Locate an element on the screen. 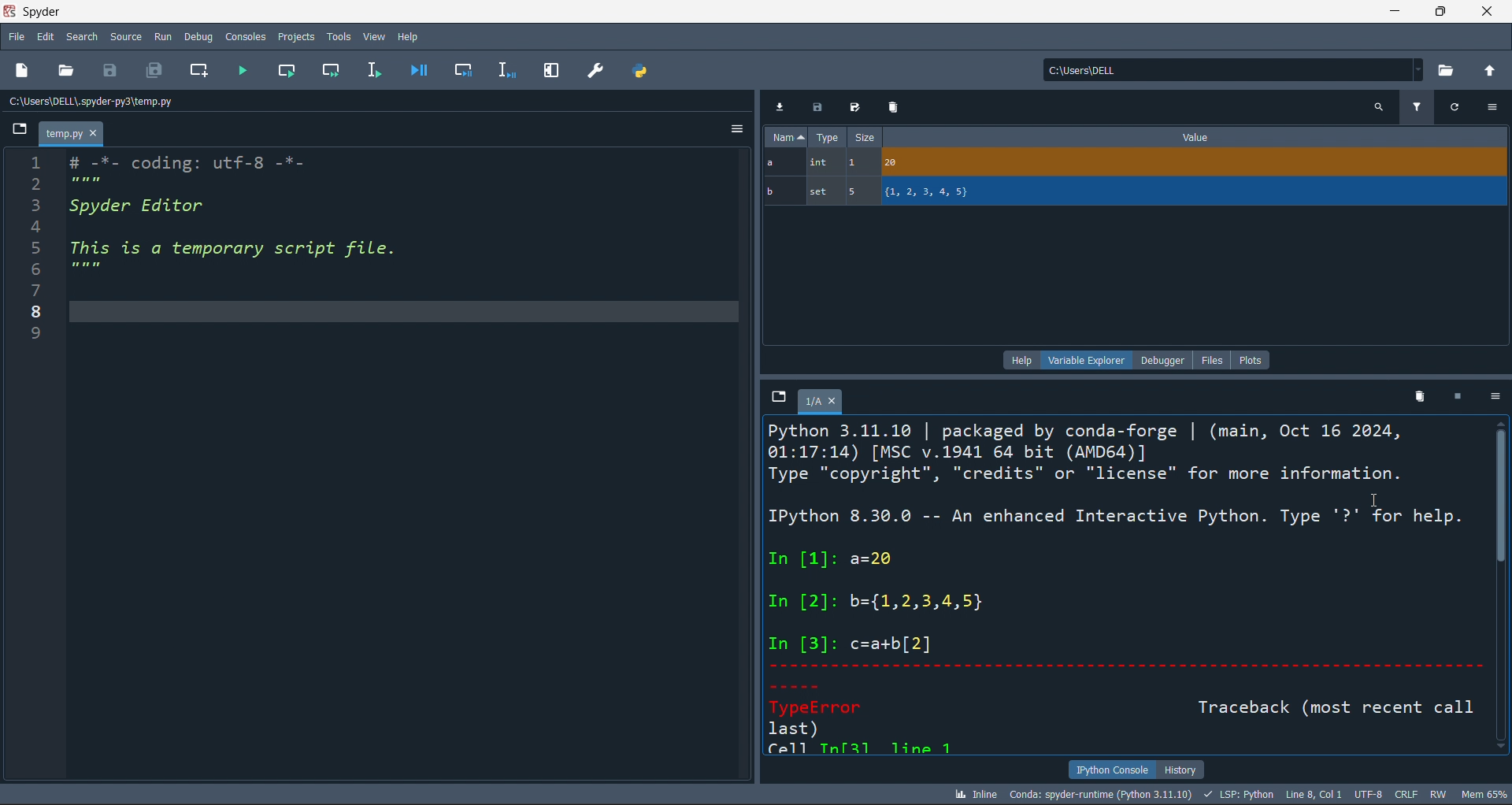  size is located at coordinates (864, 138).